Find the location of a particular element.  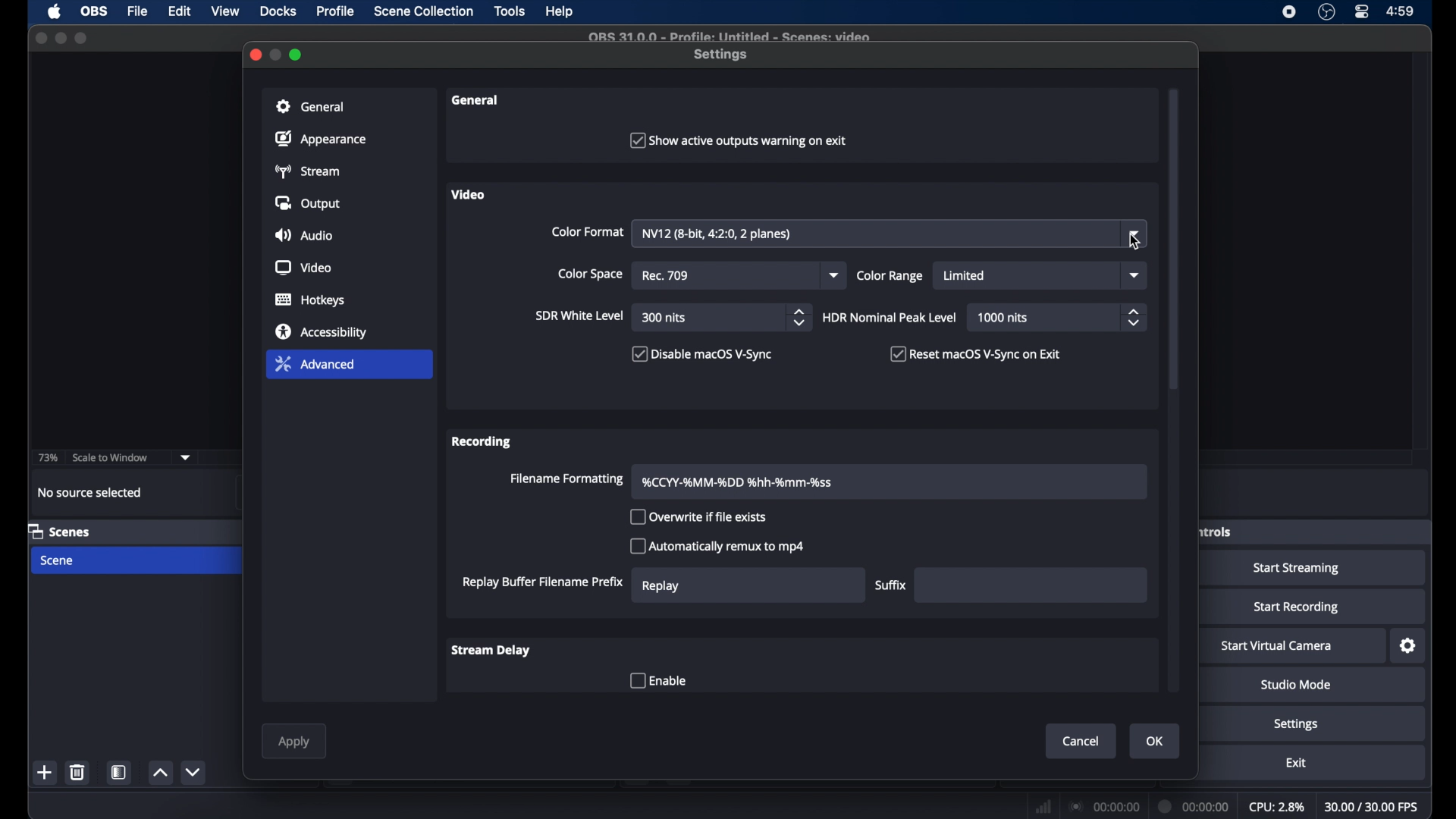

profile is located at coordinates (337, 11).